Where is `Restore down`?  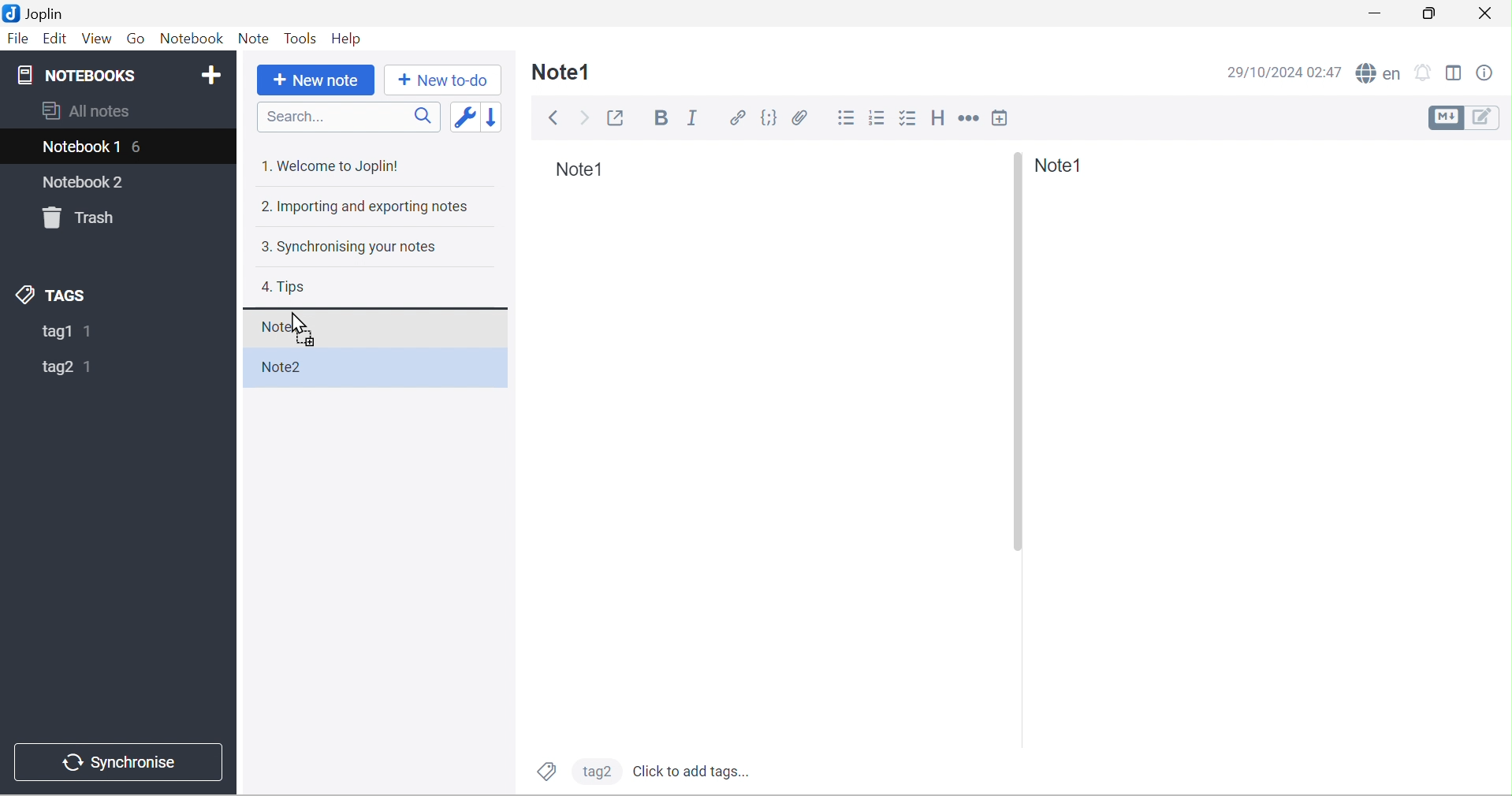
Restore down is located at coordinates (1429, 15).